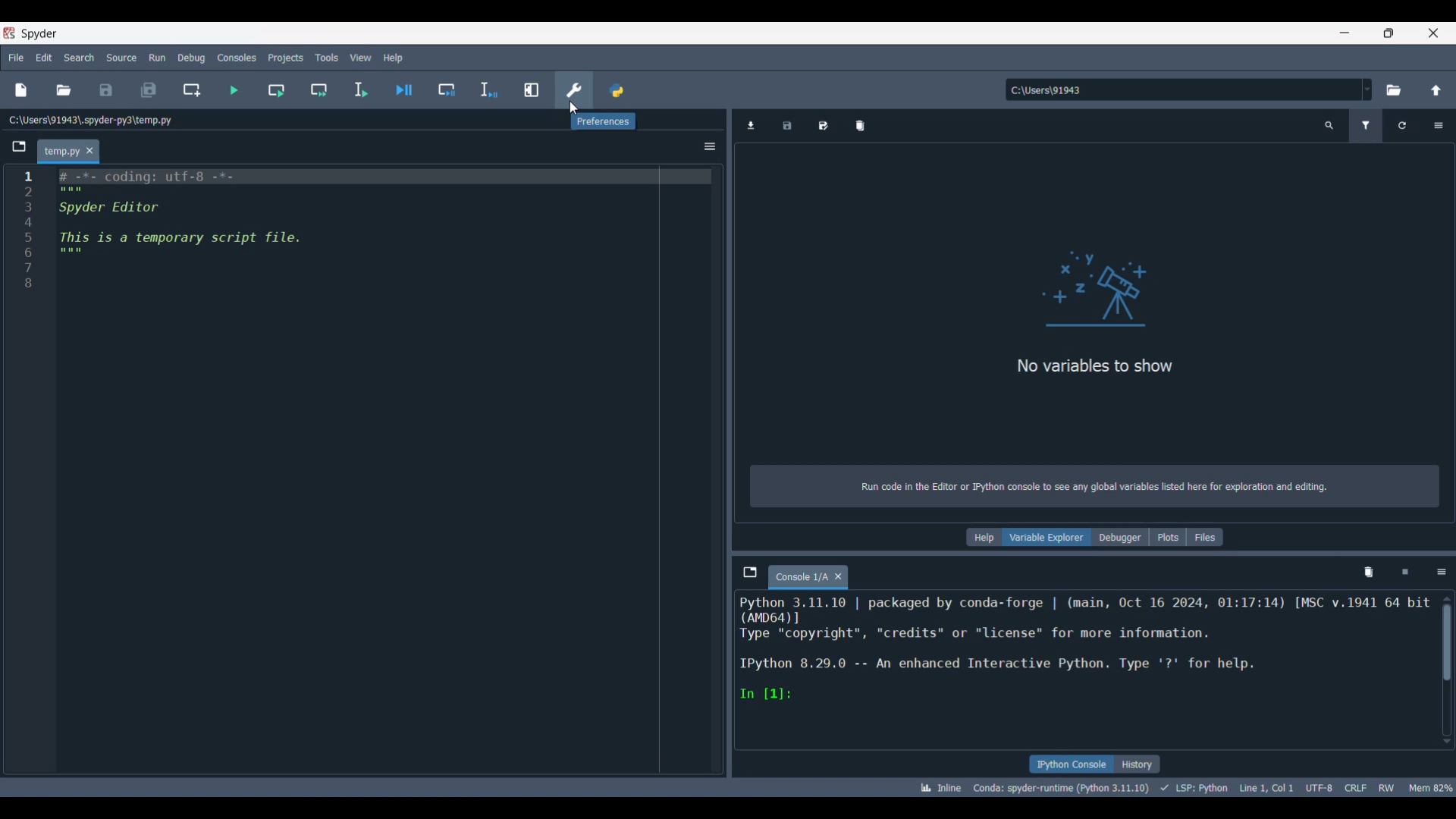 This screenshot has width=1456, height=819. I want to click on Vertical slide bar, so click(1447, 670).